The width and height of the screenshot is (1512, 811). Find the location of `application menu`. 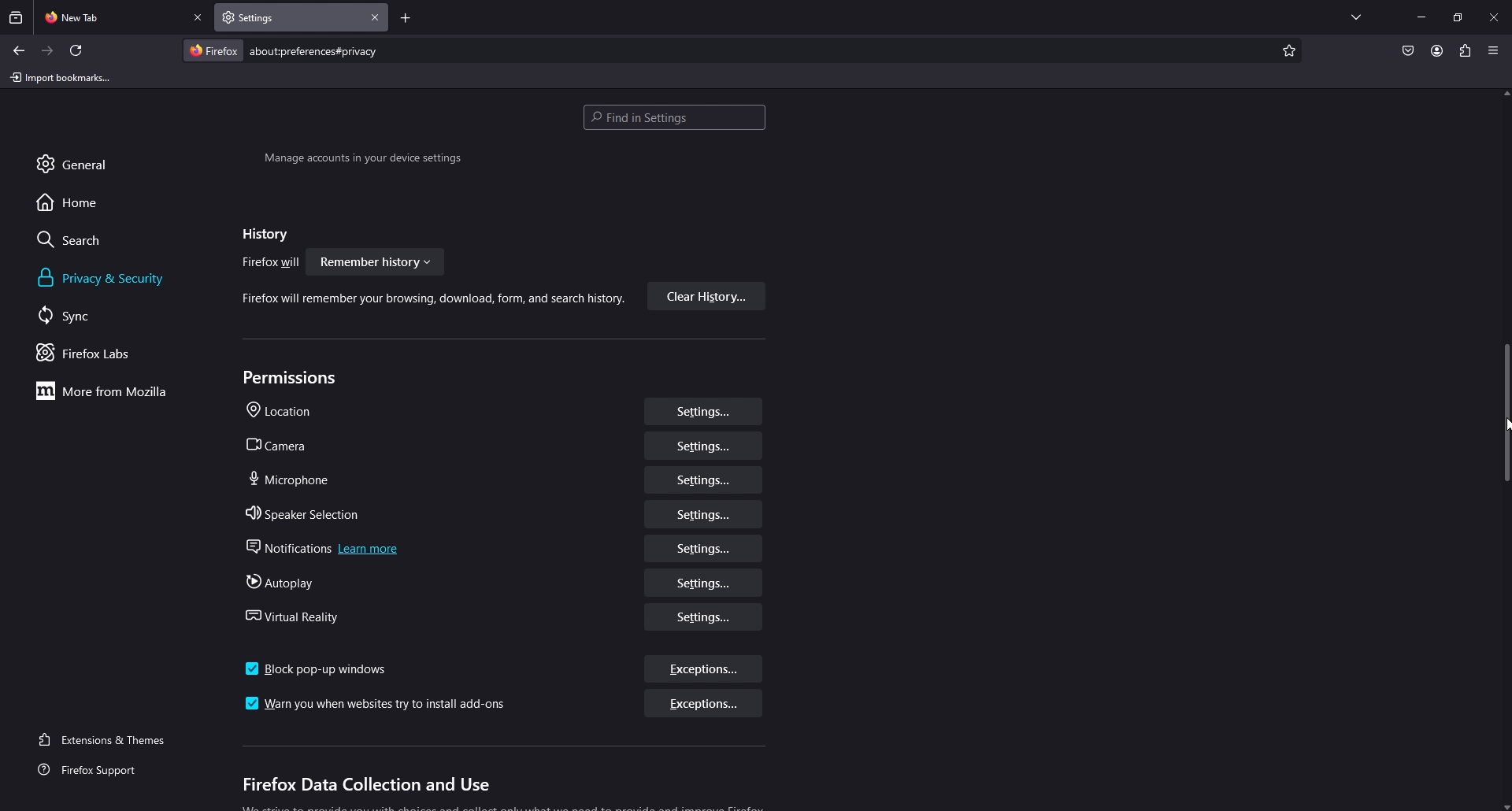

application menu is located at coordinates (1492, 50).